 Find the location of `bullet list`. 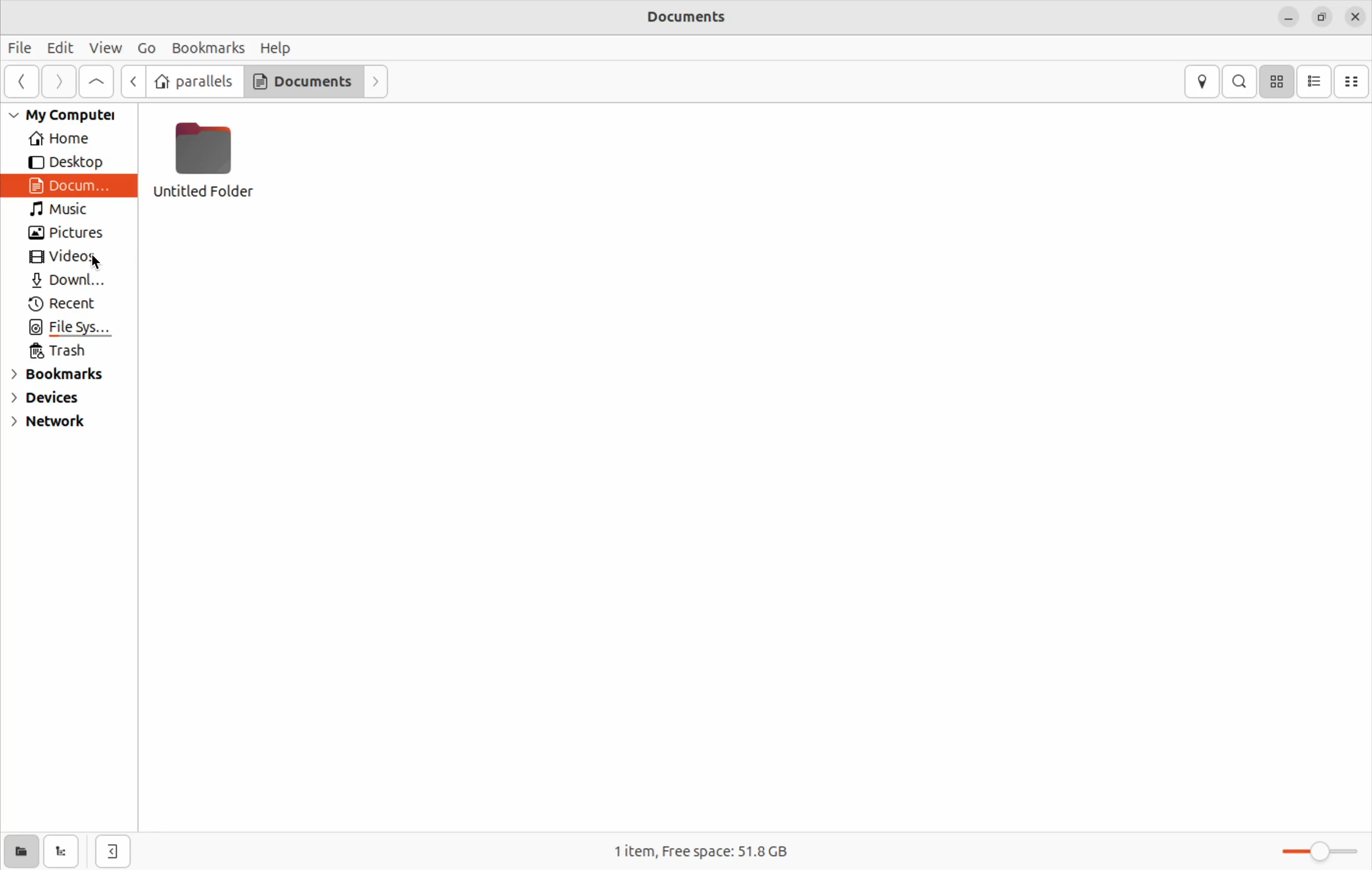

bullet list is located at coordinates (1314, 81).